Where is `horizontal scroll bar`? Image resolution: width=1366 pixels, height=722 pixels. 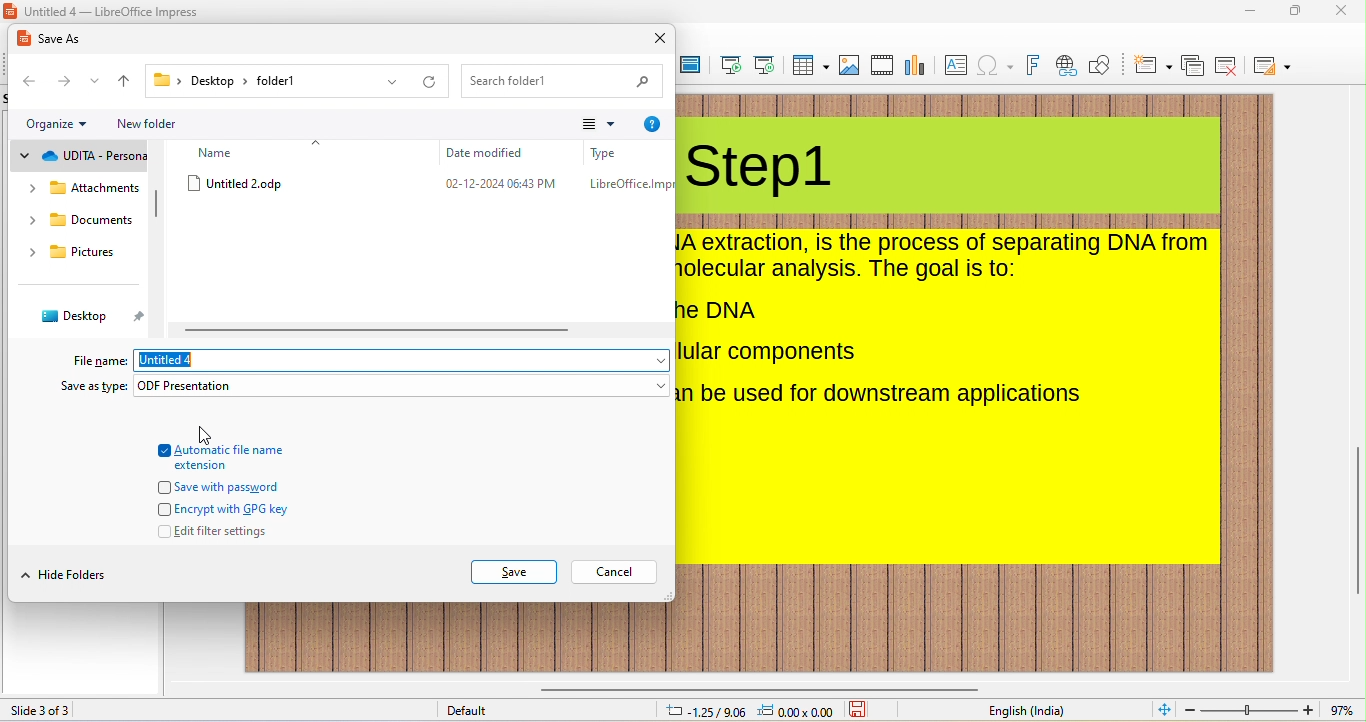 horizontal scroll bar is located at coordinates (755, 685).